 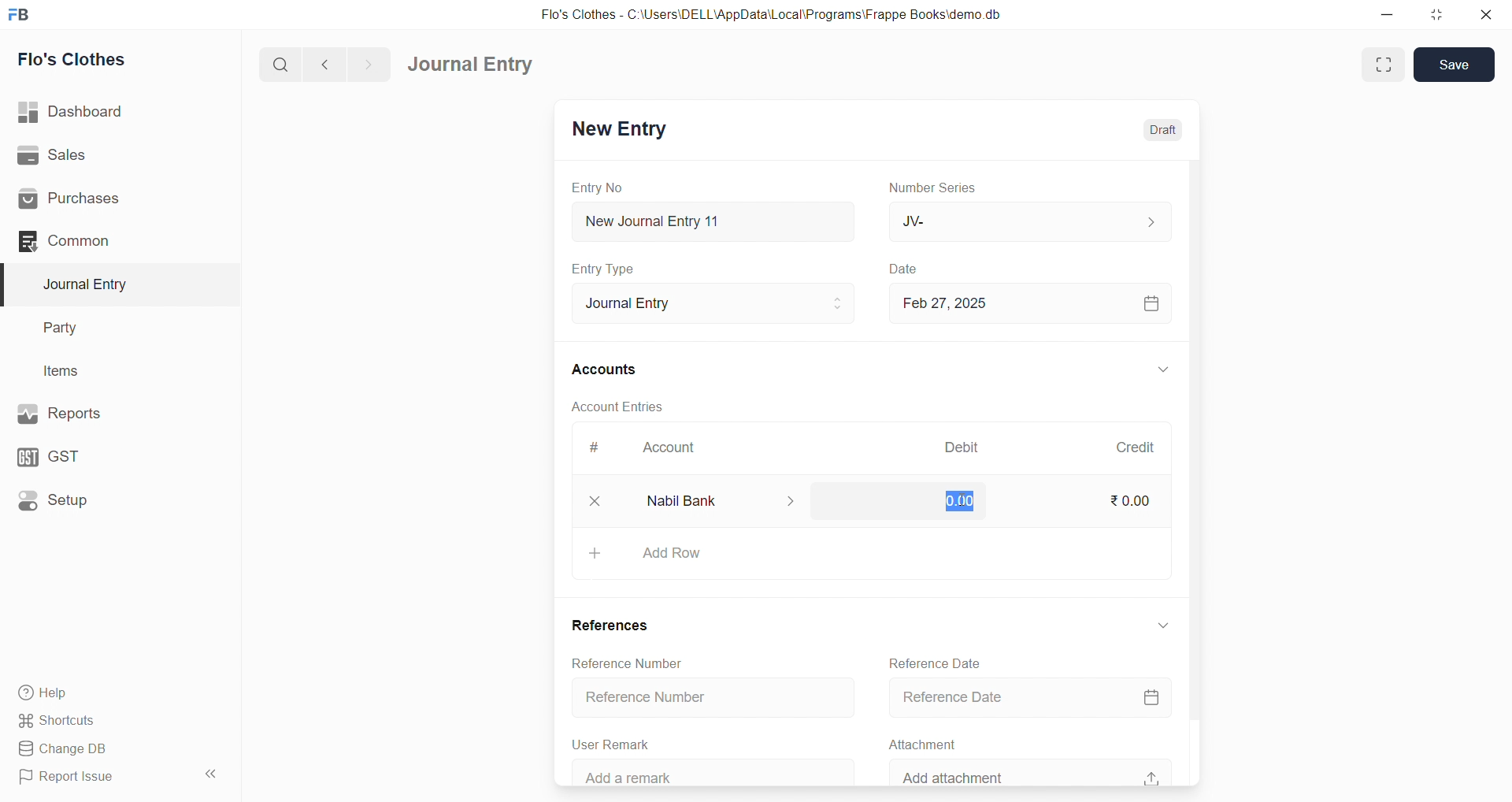 I want to click on References, so click(x=611, y=623).